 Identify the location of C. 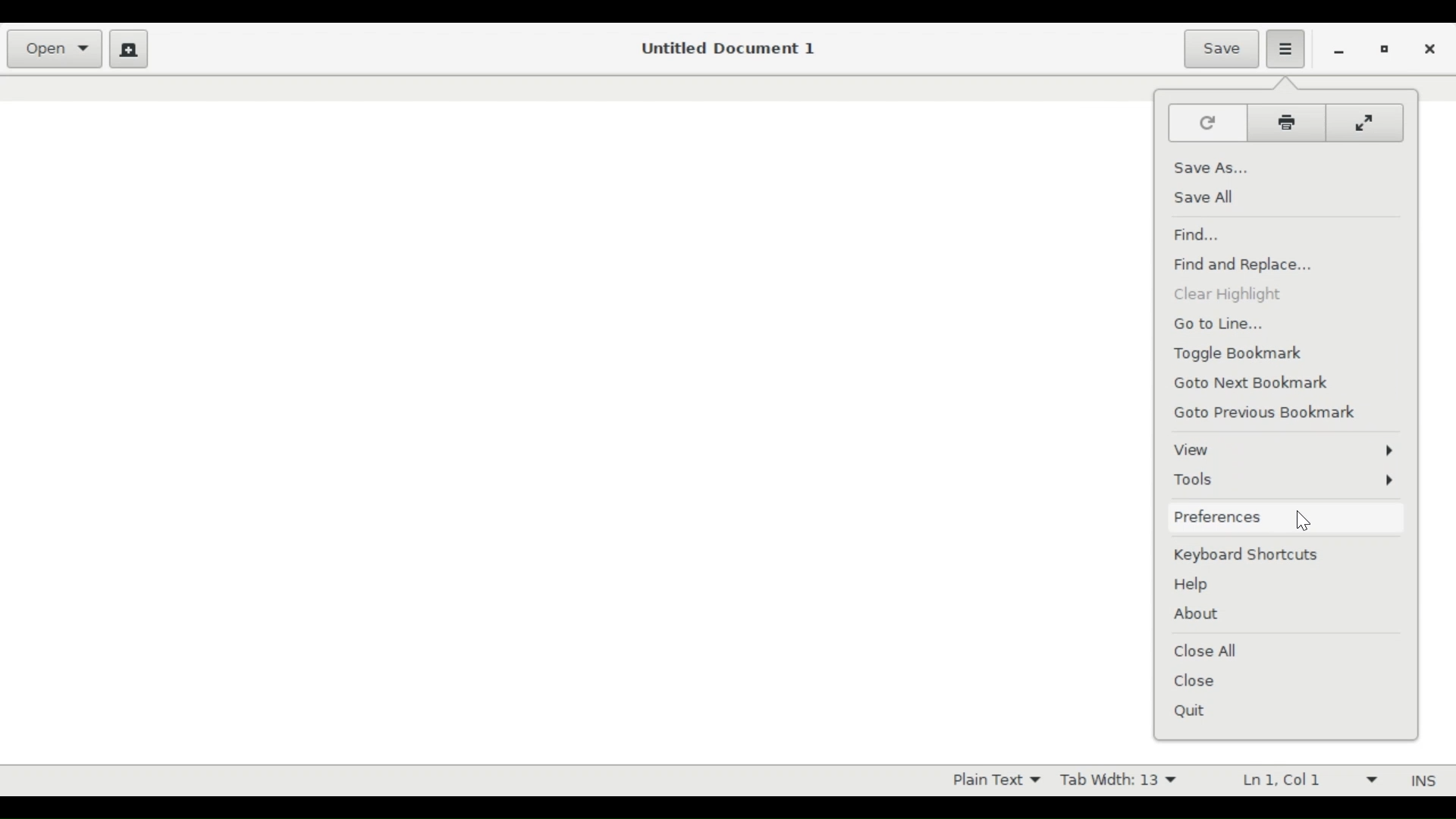
(1367, 123).